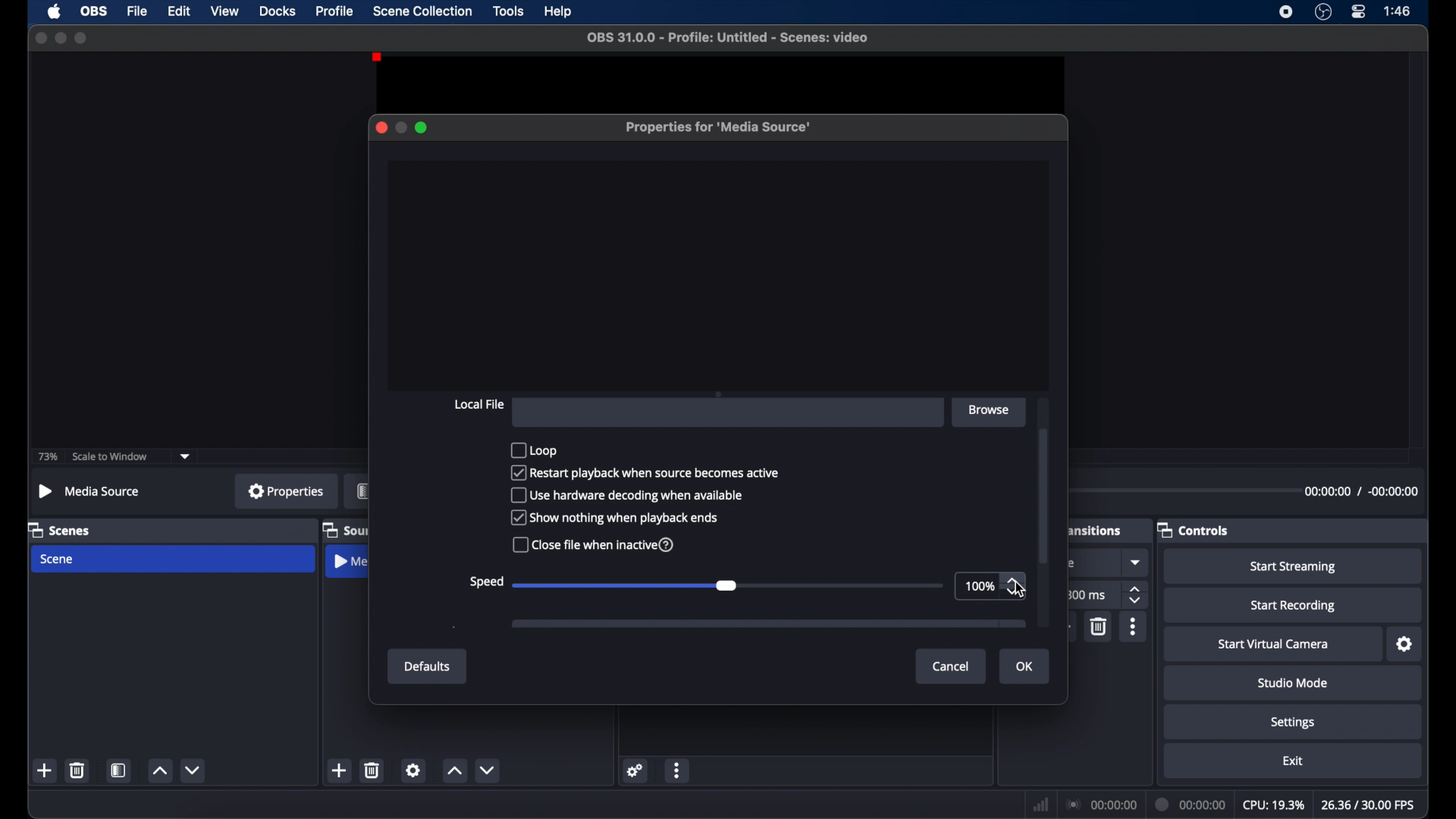 The image size is (1456, 819). I want to click on settings, so click(1294, 723).